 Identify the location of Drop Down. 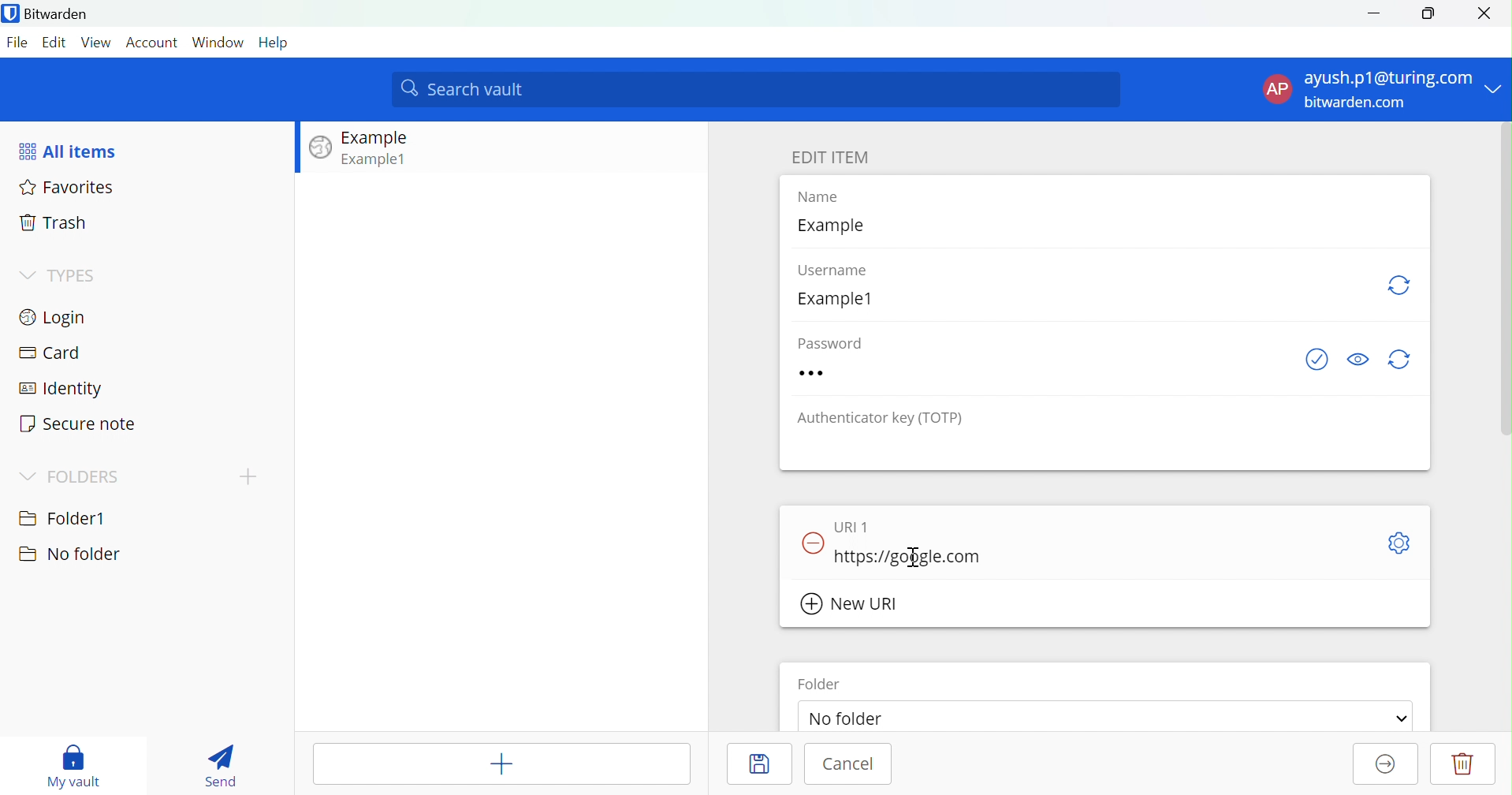
(27, 476).